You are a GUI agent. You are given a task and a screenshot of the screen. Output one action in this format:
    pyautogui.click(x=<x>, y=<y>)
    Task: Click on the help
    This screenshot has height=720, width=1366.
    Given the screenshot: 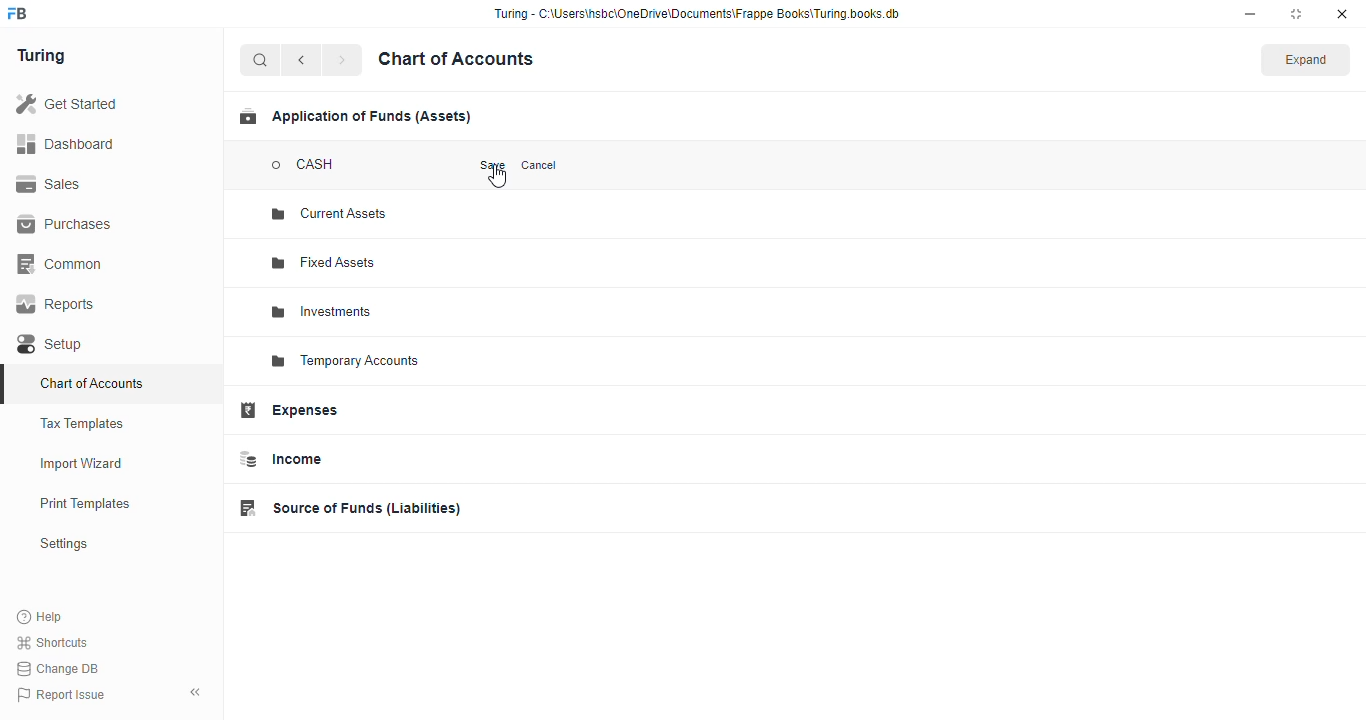 What is the action you would take?
    pyautogui.click(x=40, y=616)
    